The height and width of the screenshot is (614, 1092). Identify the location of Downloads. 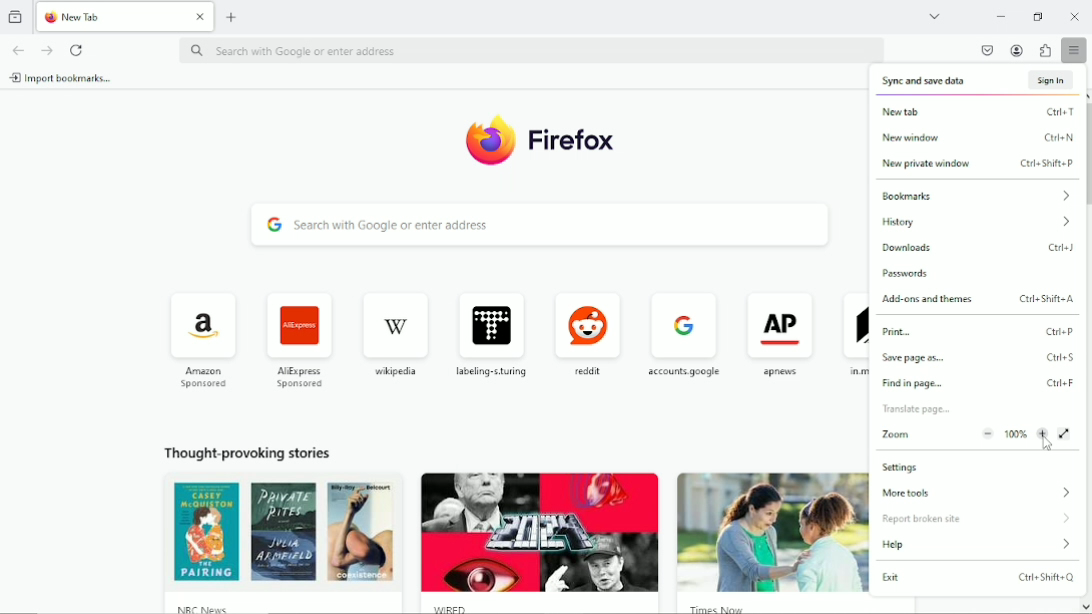
(978, 248).